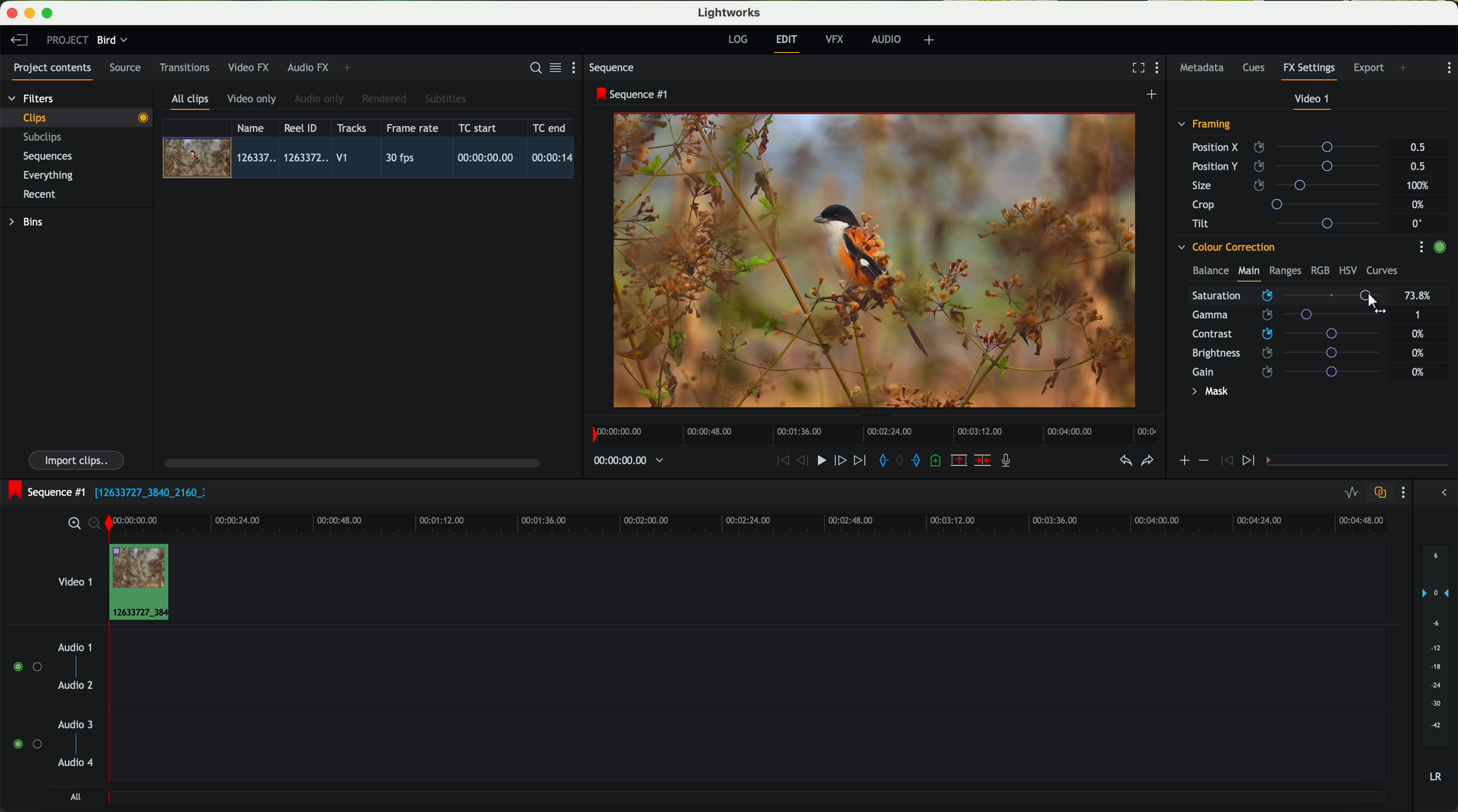 The height and width of the screenshot is (812, 1458). Describe the element at coordinates (40, 196) in the screenshot. I see `recent` at that location.